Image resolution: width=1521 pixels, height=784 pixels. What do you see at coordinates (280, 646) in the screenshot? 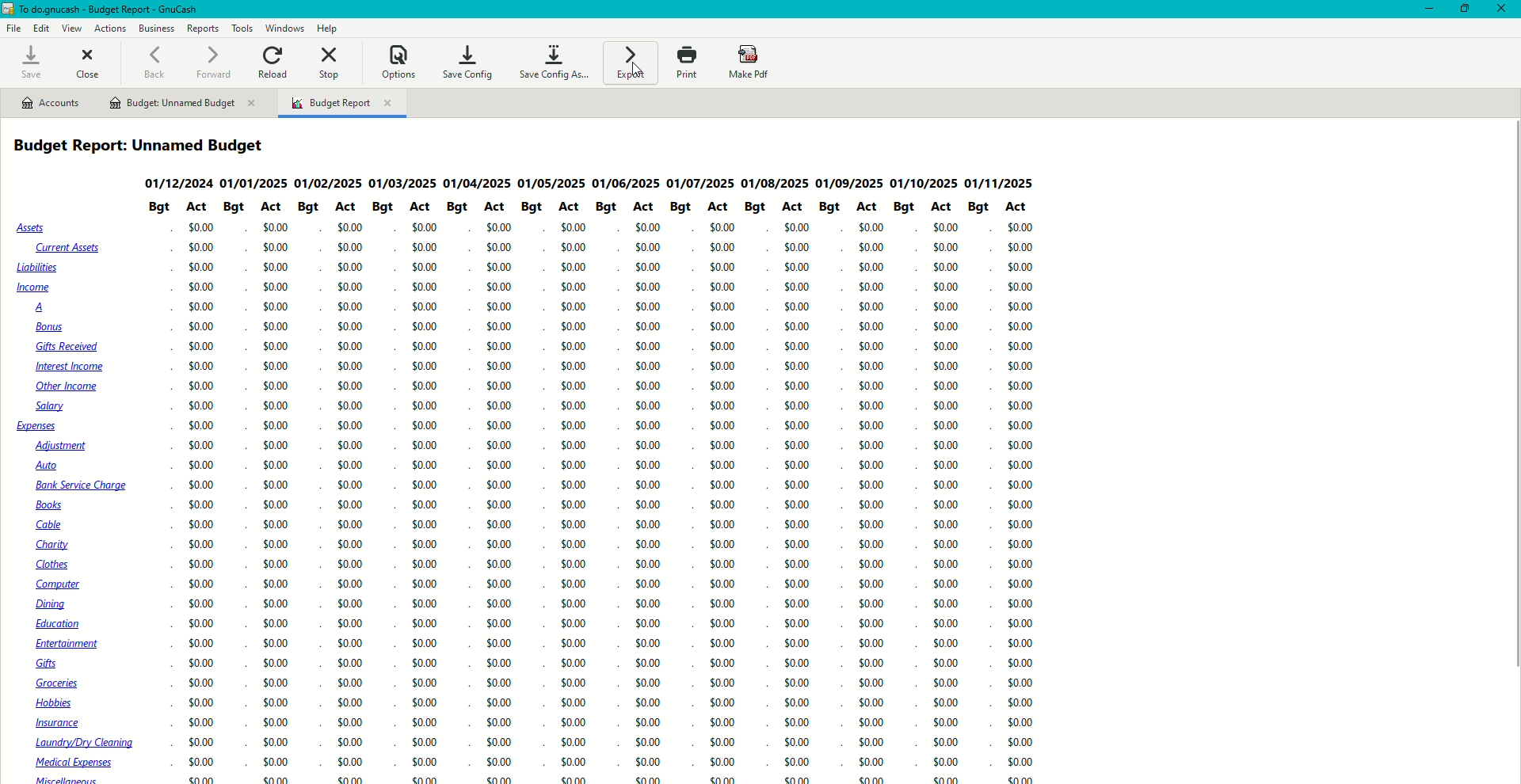
I see `$0.00` at bounding box center [280, 646].